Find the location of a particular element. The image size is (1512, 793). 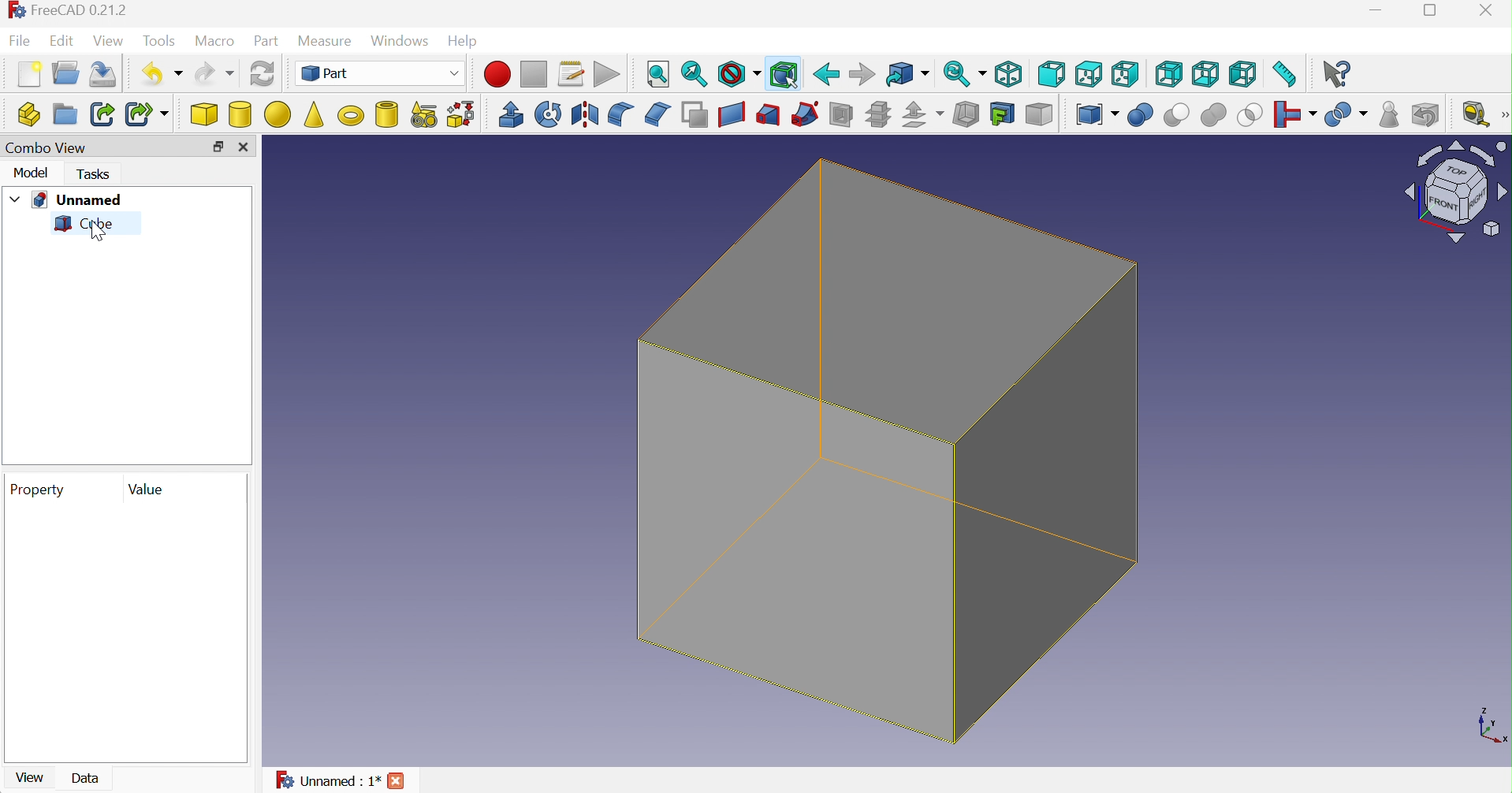

File is located at coordinates (20, 41).